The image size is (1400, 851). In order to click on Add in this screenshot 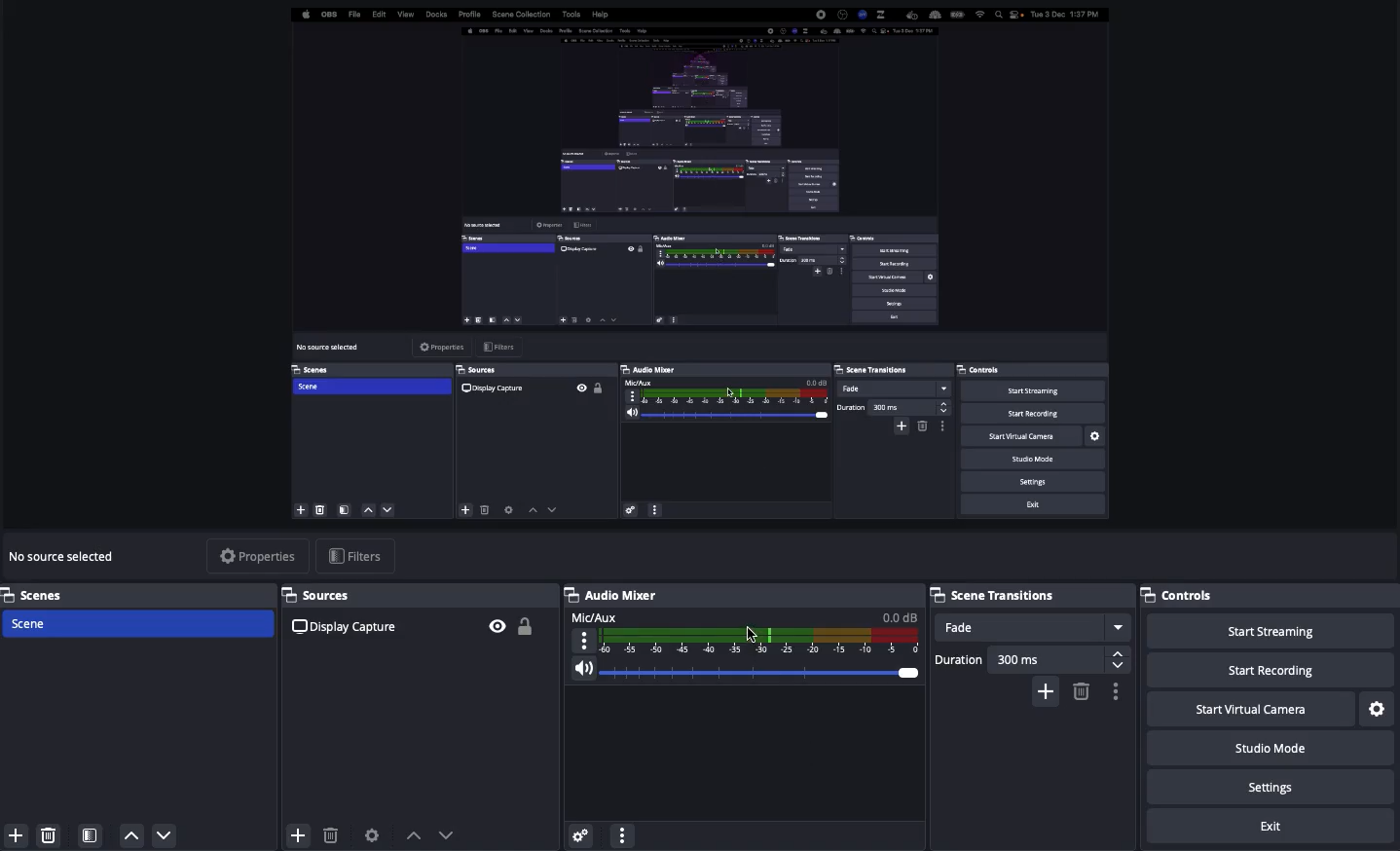, I will do `click(296, 832)`.